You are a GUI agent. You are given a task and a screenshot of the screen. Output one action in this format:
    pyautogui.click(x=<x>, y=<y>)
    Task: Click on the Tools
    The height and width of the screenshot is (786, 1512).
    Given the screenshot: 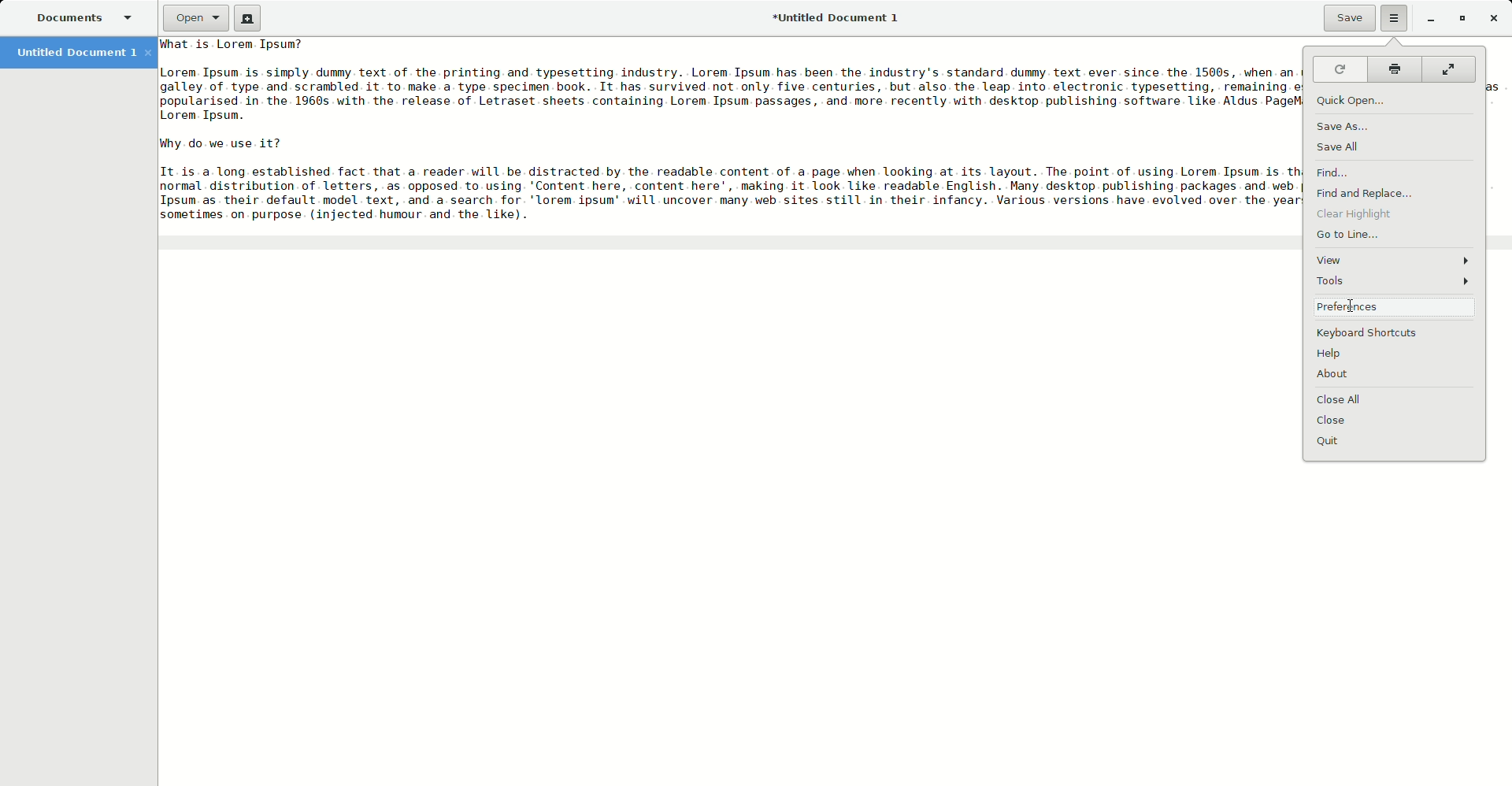 What is the action you would take?
    pyautogui.click(x=1394, y=282)
    